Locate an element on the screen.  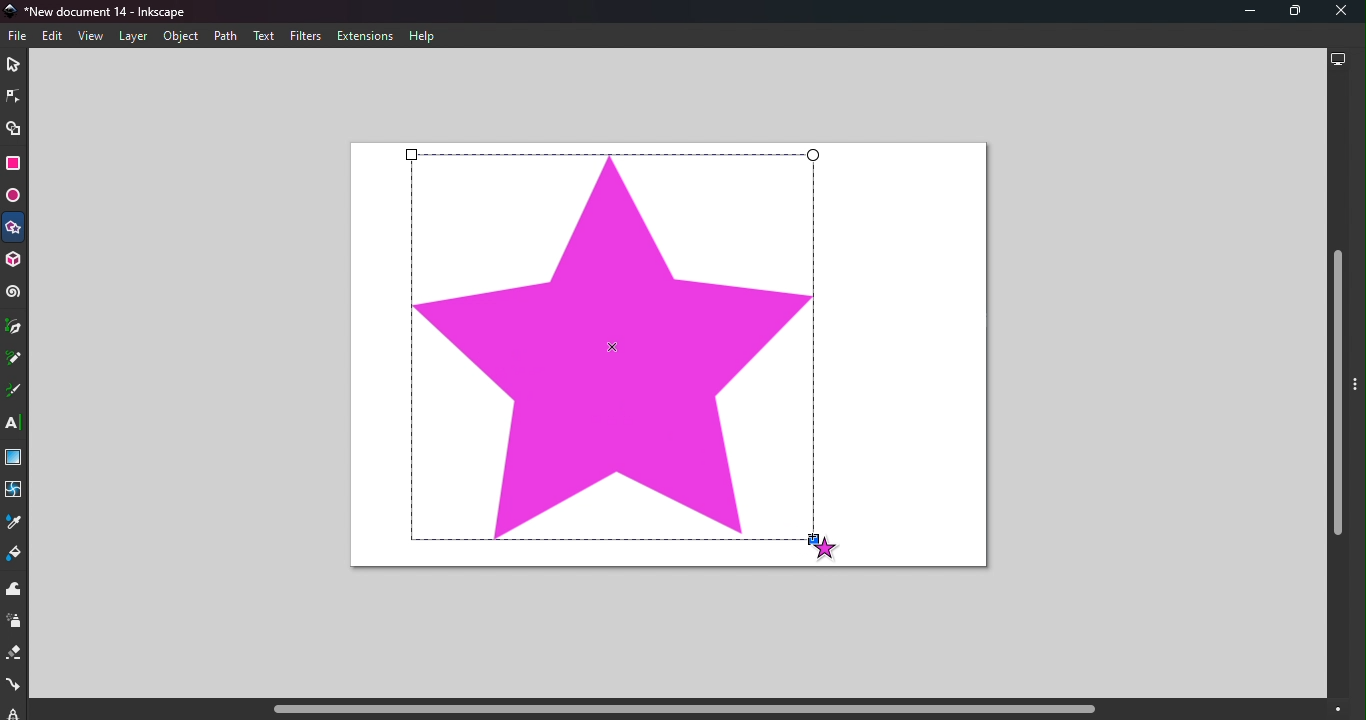
Close is located at coordinates (1342, 12).